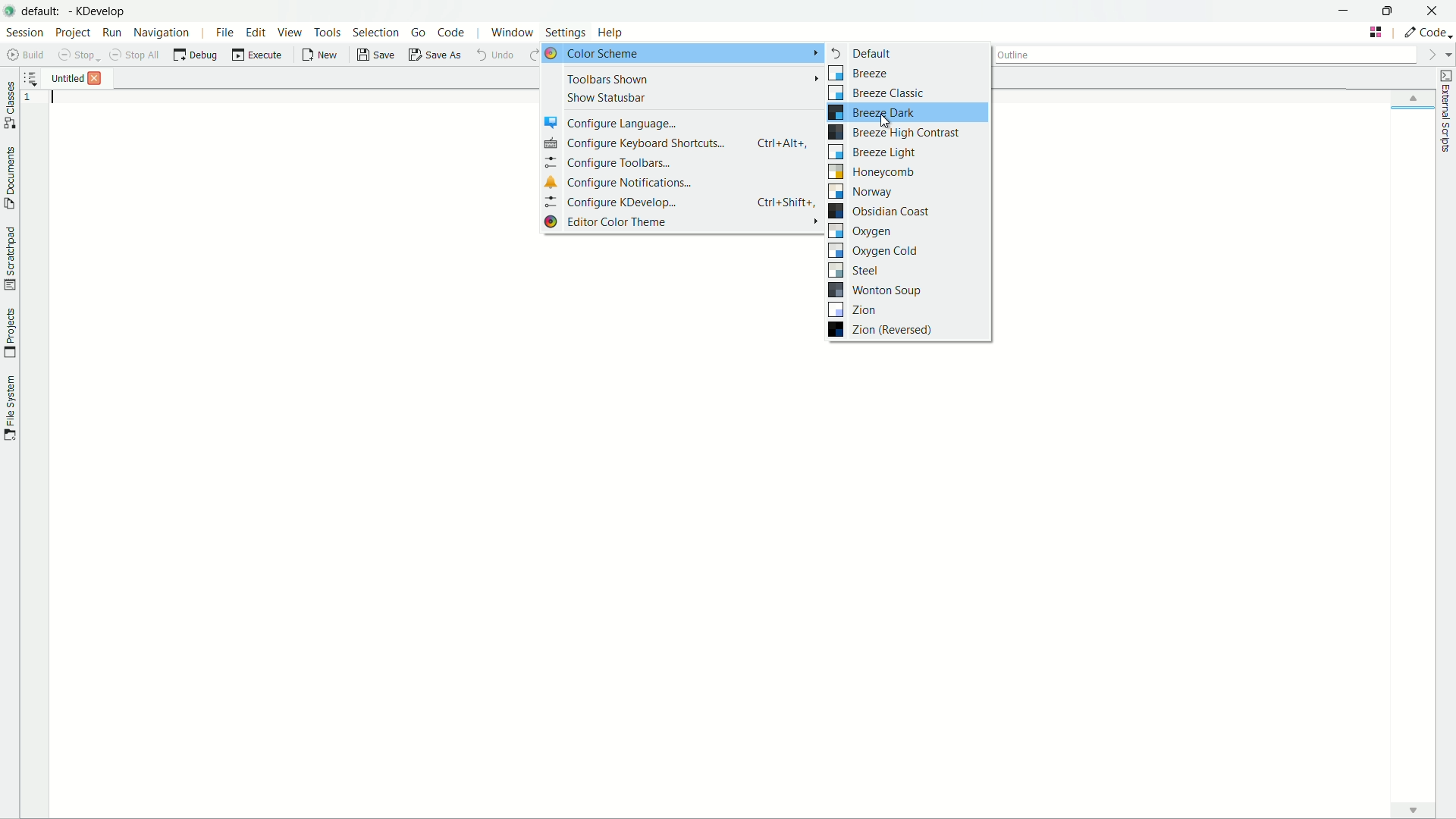 The image size is (1456, 819). I want to click on steel, so click(857, 270).